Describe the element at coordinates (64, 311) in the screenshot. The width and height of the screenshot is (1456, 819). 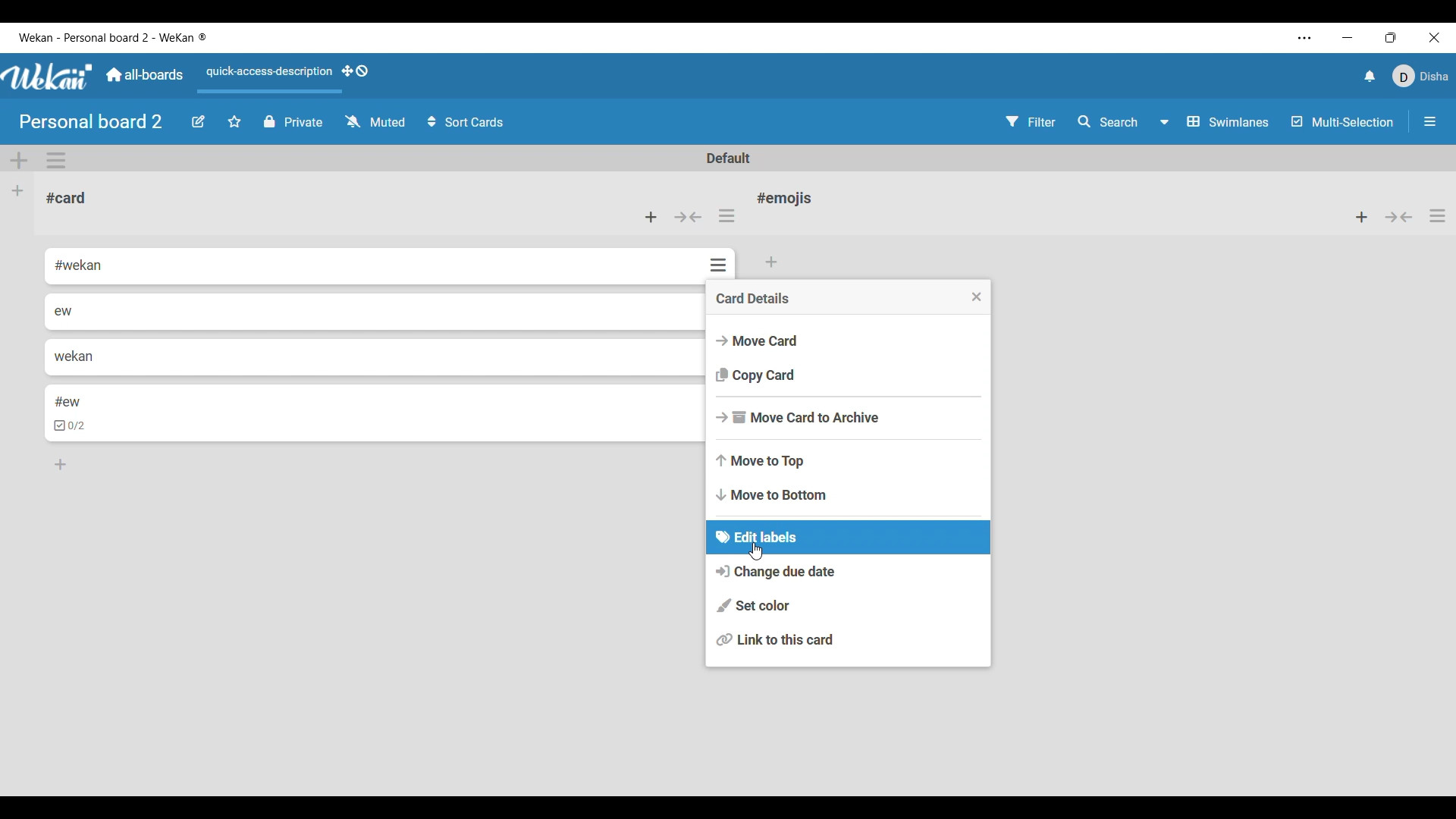
I see `ew` at that location.